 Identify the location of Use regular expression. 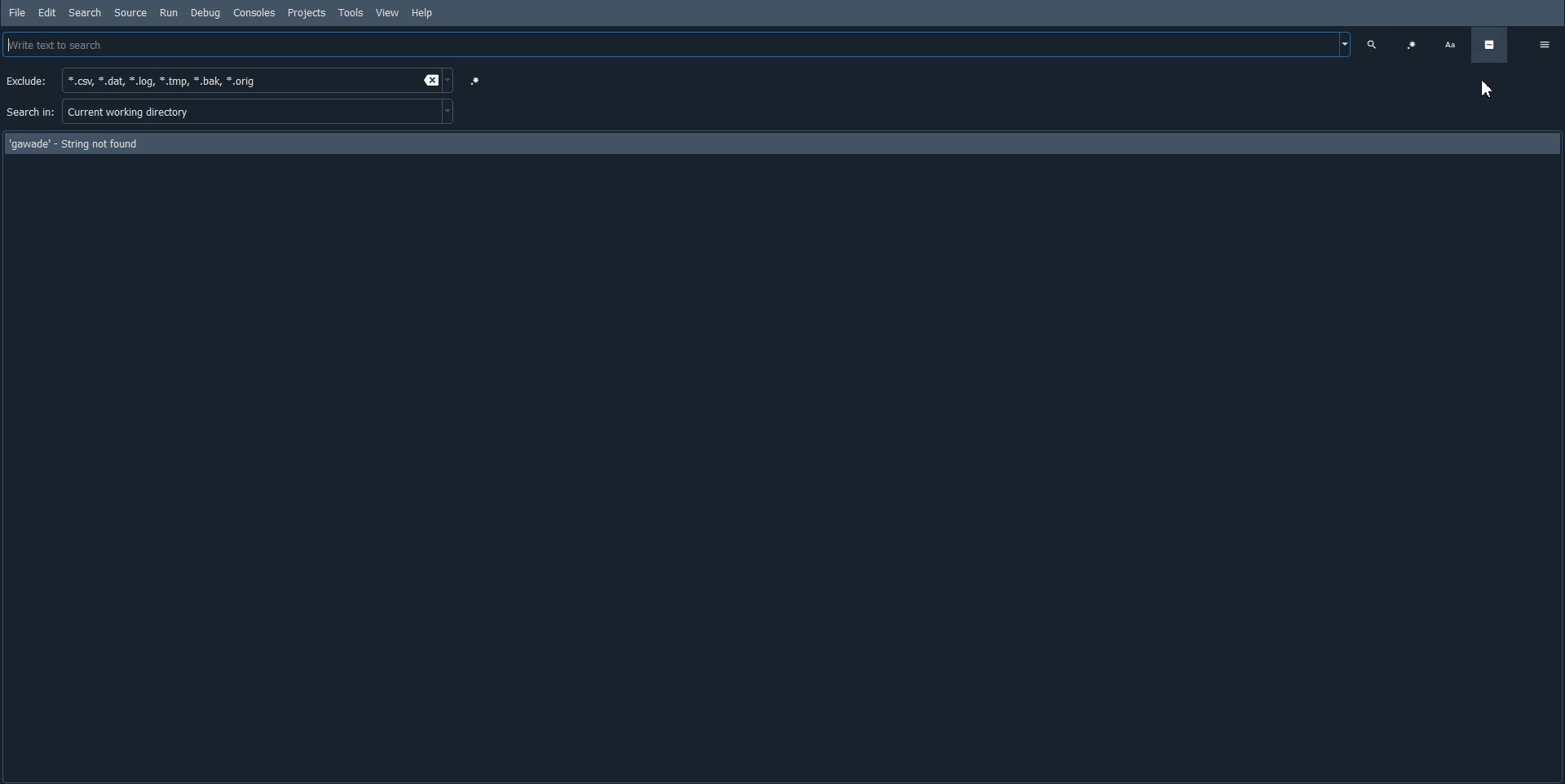
(1412, 45).